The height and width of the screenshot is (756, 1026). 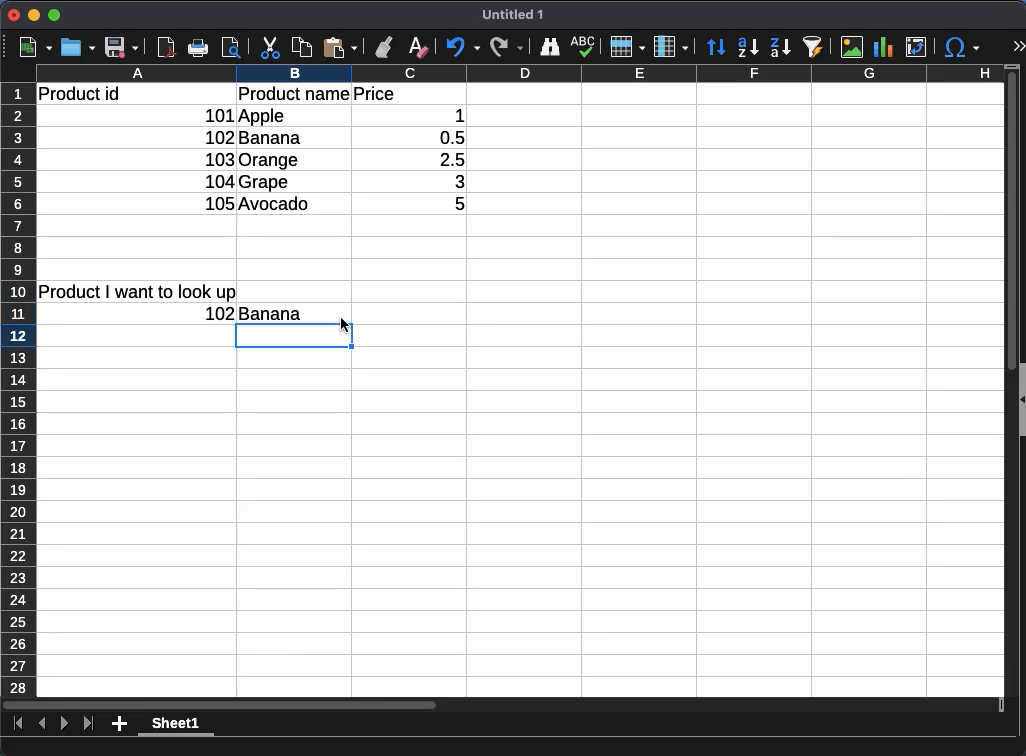 What do you see at coordinates (583, 46) in the screenshot?
I see `spell check` at bounding box center [583, 46].